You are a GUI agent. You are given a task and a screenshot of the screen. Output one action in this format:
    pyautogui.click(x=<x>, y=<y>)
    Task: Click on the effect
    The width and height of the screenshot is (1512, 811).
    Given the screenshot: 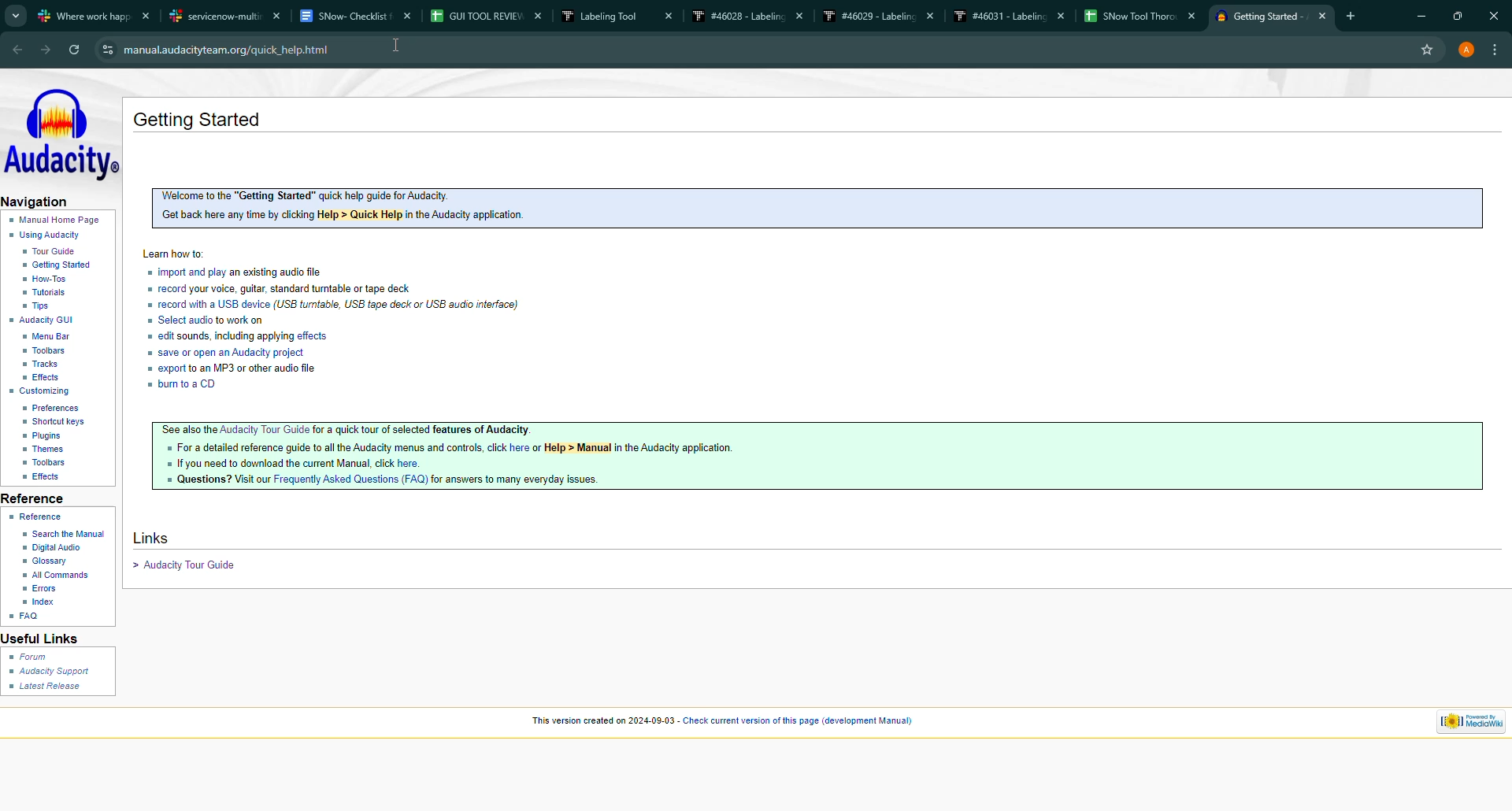 What is the action you would take?
    pyautogui.click(x=41, y=380)
    